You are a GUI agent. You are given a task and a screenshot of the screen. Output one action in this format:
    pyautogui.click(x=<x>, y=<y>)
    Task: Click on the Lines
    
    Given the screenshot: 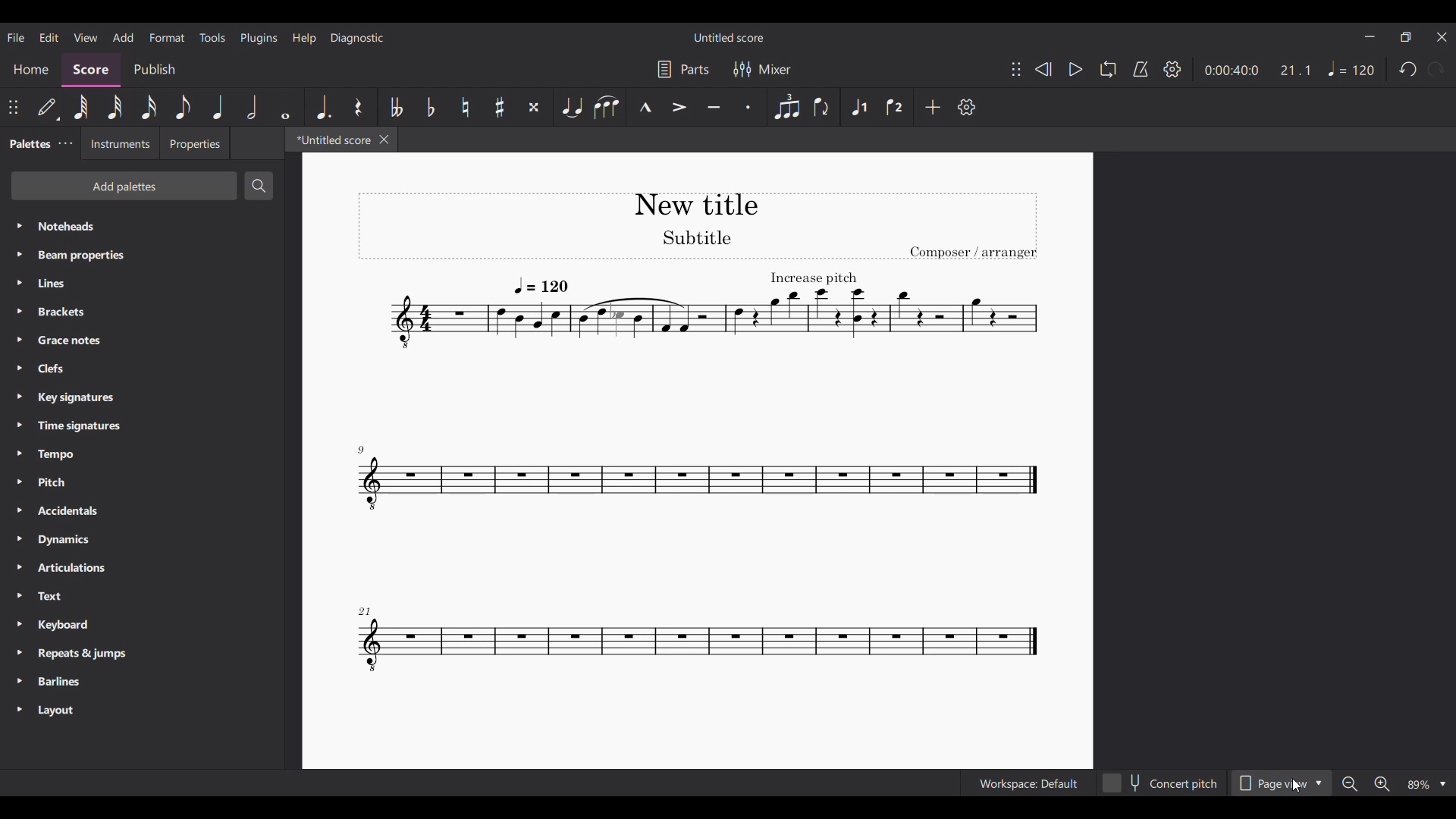 What is the action you would take?
    pyautogui.click(x=143, y=284)
    